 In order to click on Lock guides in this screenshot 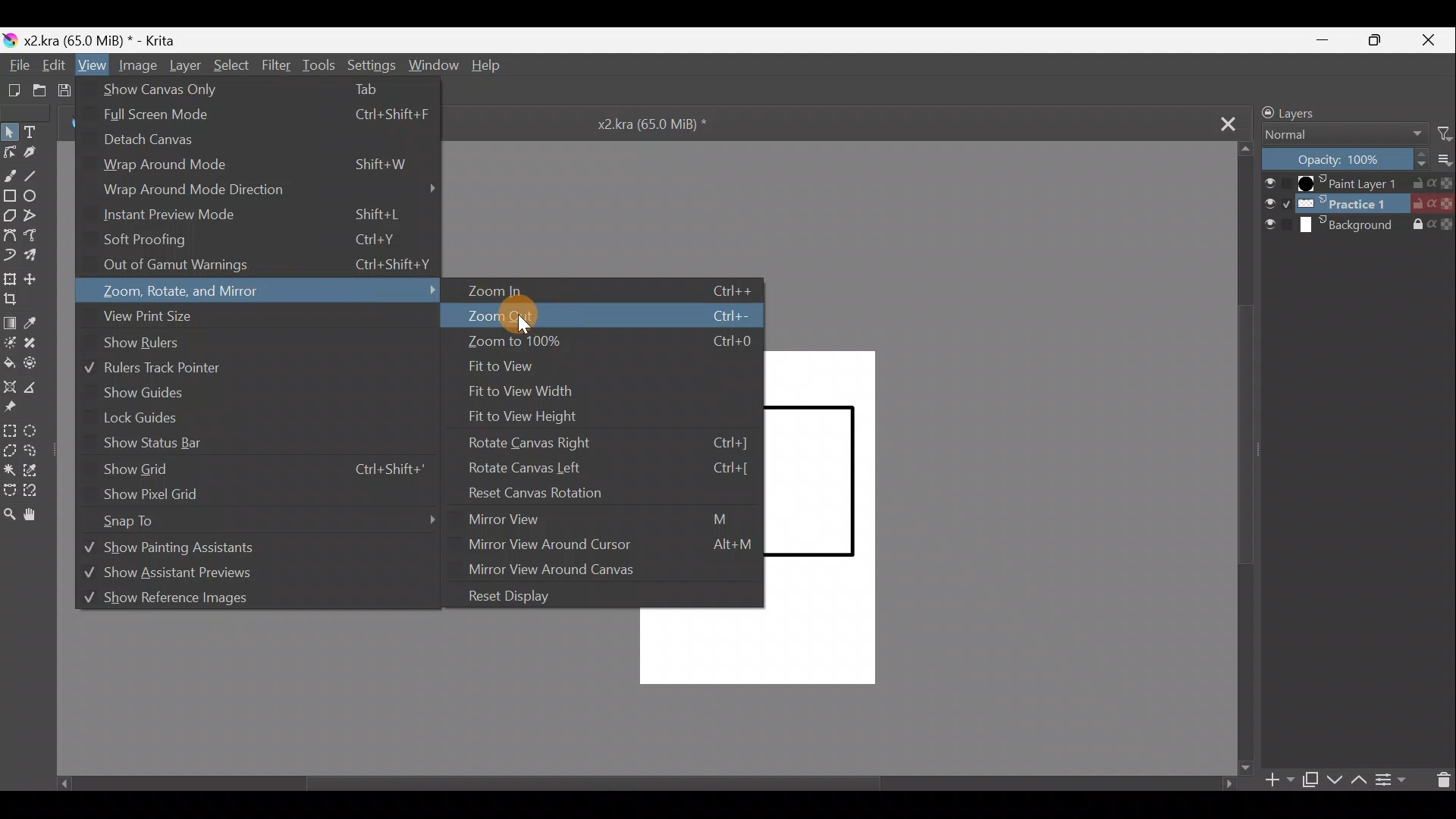, I will do `click(142, 419)`.